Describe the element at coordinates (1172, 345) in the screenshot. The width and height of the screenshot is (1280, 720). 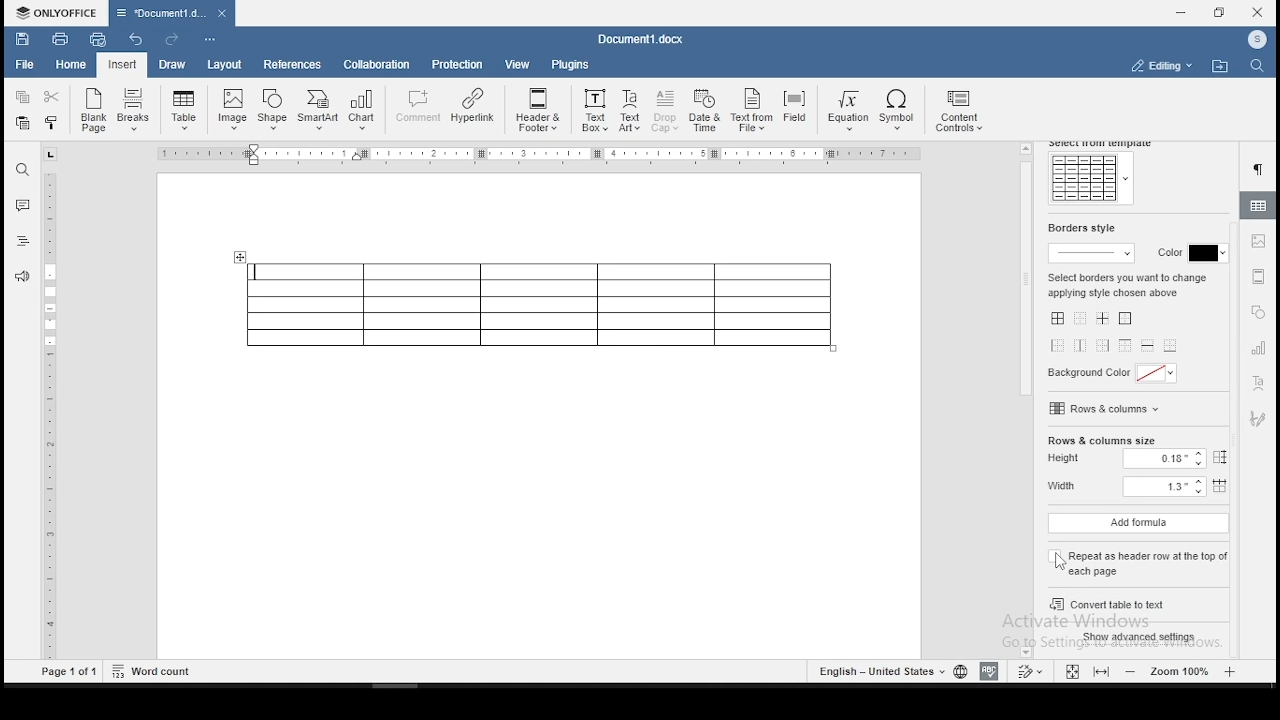
I see `only bottom border` at that location.